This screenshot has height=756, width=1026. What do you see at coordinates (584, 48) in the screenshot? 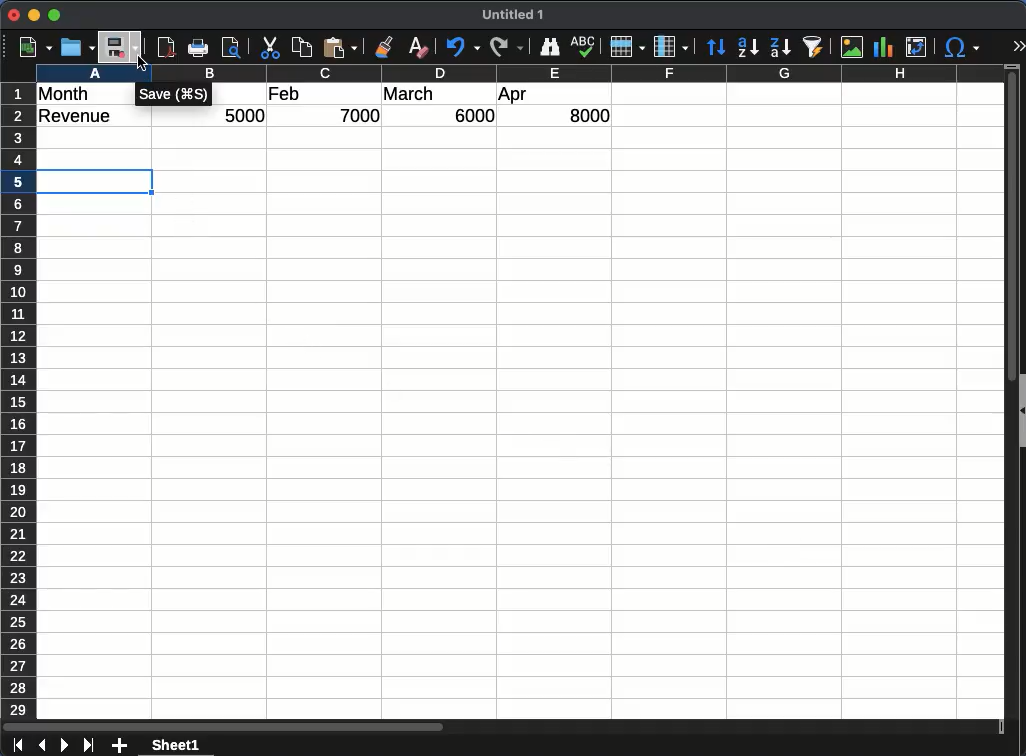
I see `spell check` at bounding box center [584, 48].